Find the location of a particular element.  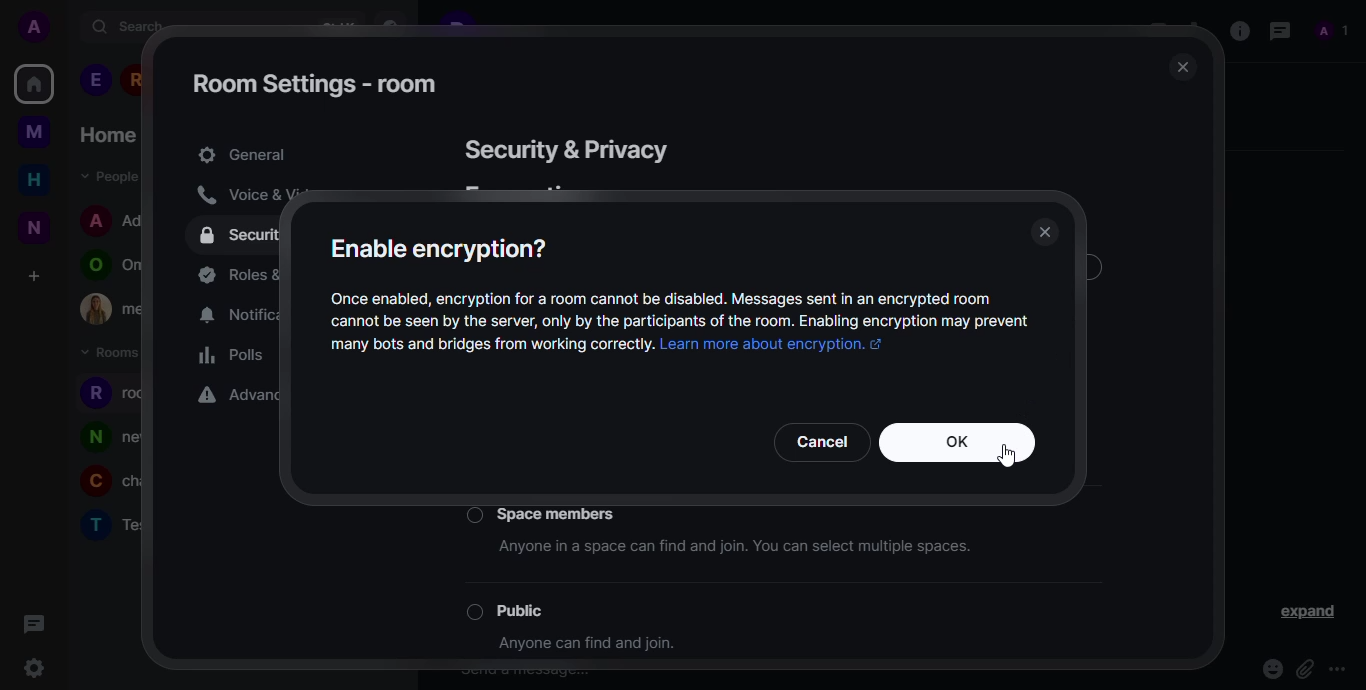

close is located at coordinates (1181, 67).